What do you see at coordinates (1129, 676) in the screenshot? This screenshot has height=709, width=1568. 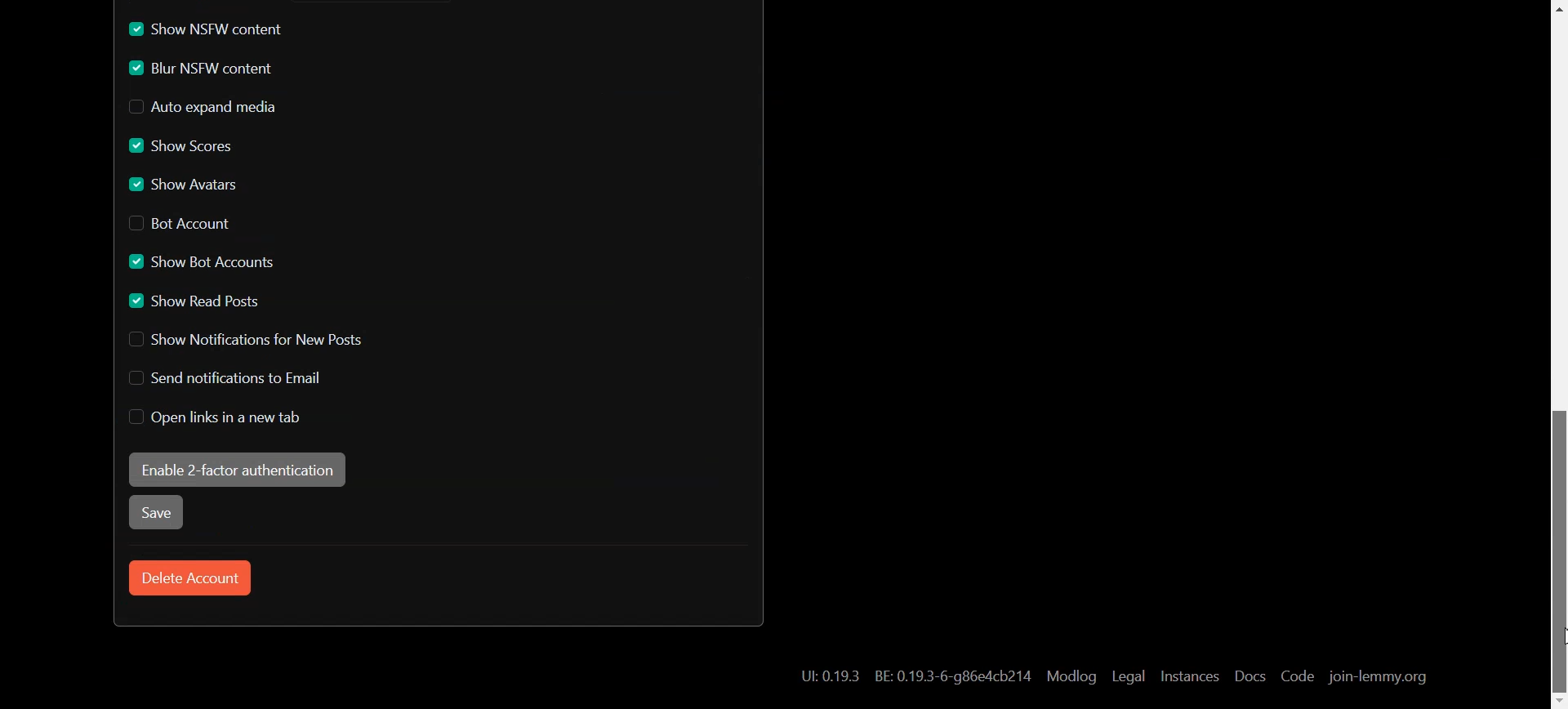 I see `Legal` at bounding box center [1129, 676].